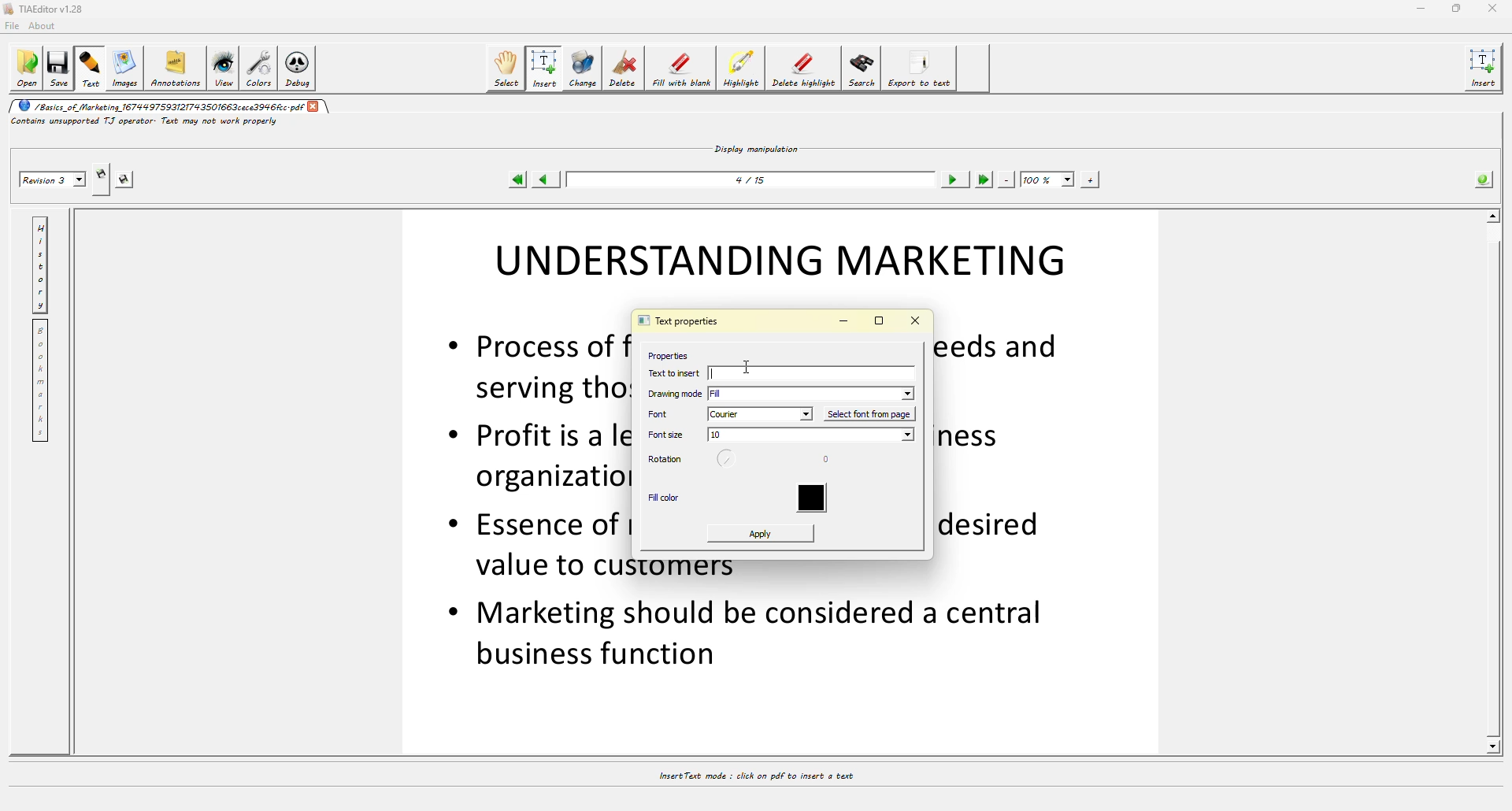 This screenshot has width=1512, height=811. What do you see at coordinates (872, 413) in the screenshot?
I see `select font from page` at bounding box center [872, 413].